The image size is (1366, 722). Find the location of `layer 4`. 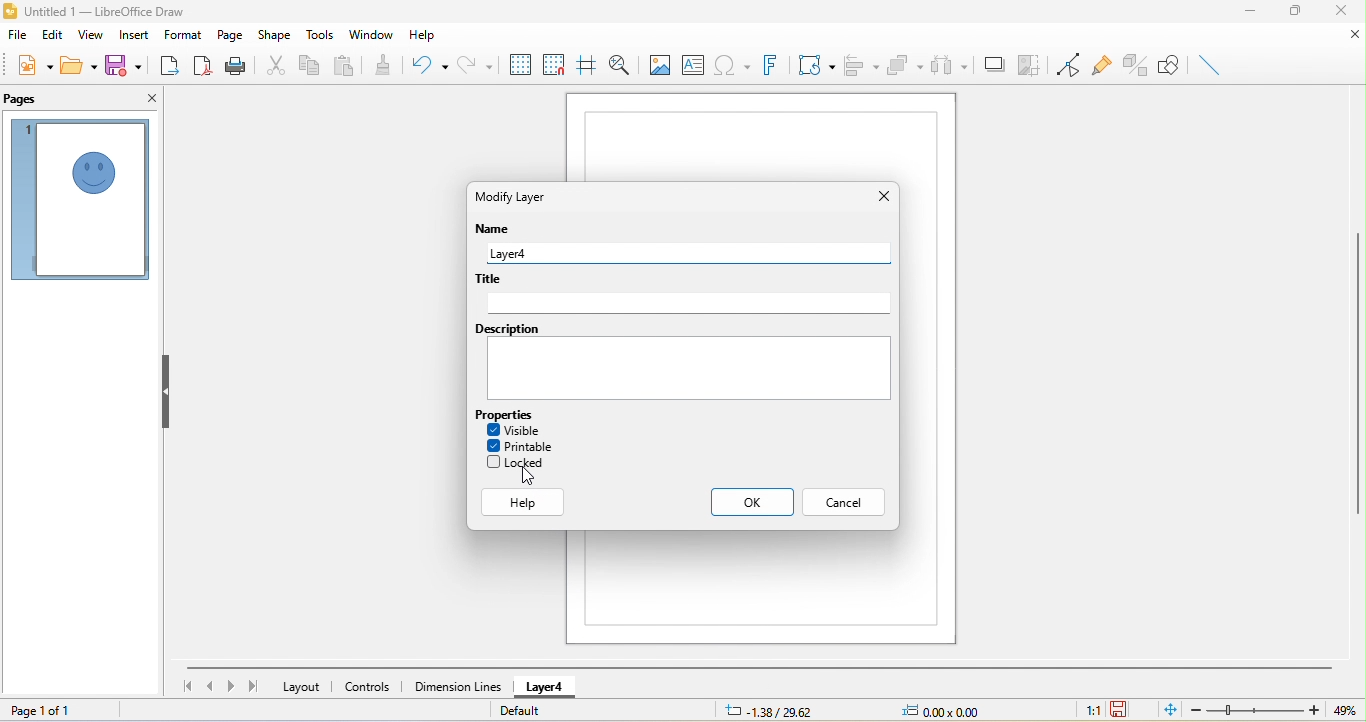

layer 4 is located at coordinates (551, 687).